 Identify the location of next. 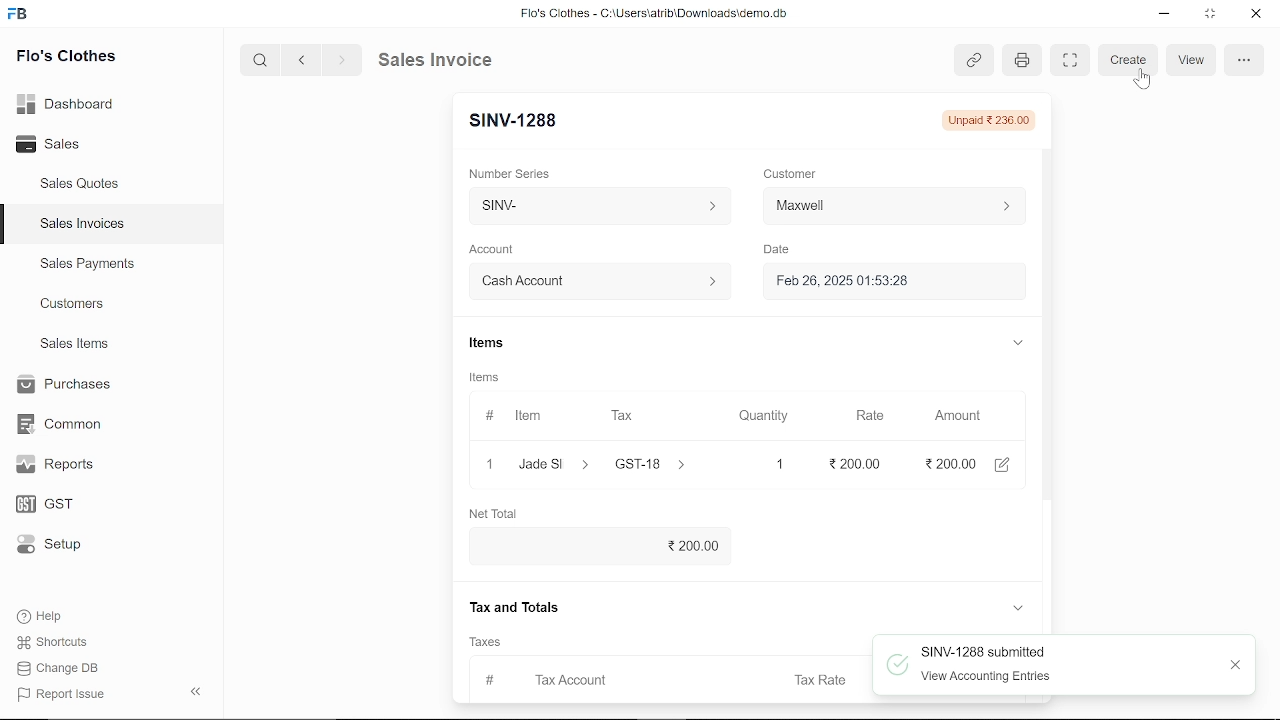
(342, 60).